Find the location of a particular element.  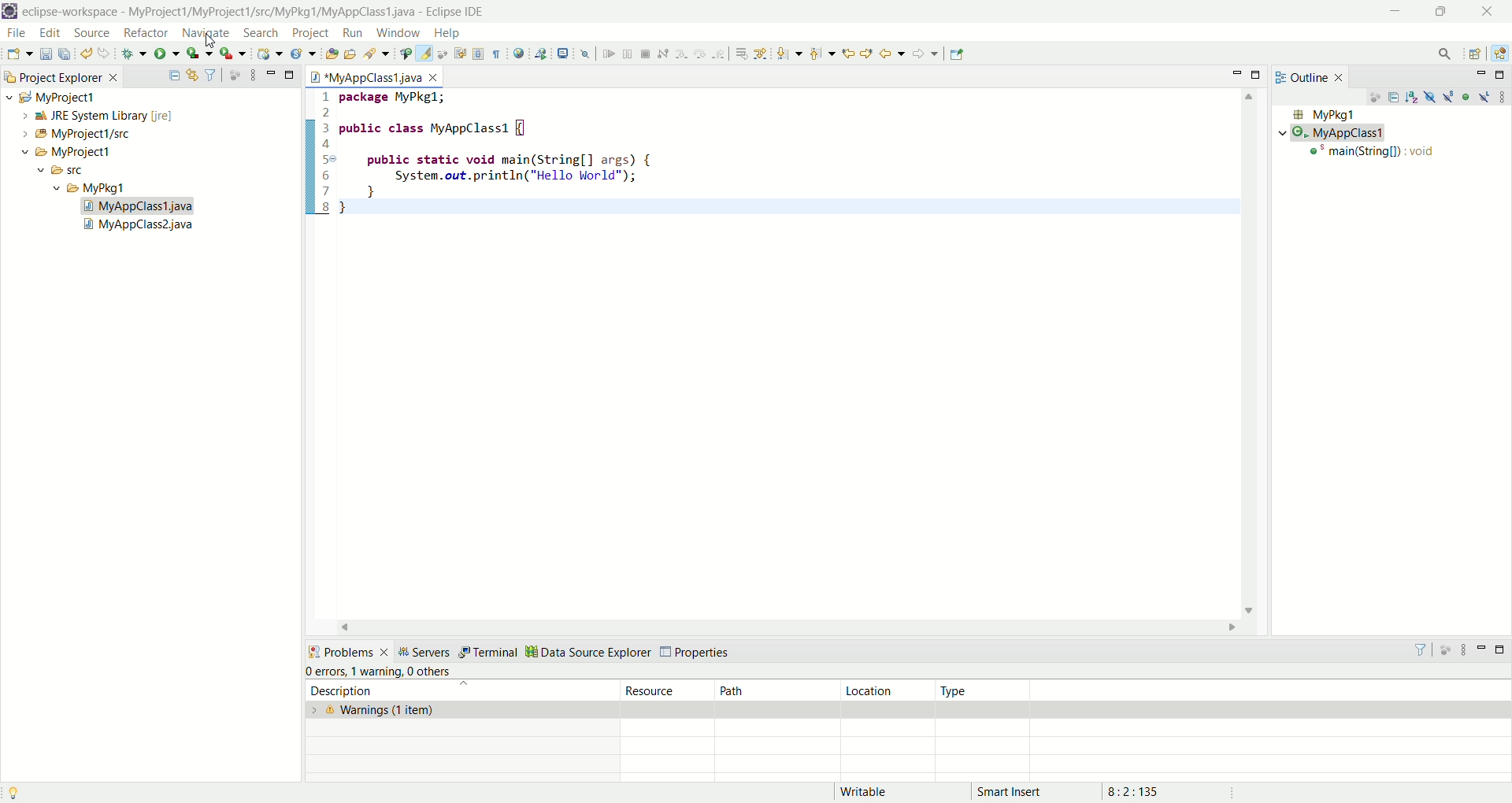

close is located at coordinates (1492, 10).